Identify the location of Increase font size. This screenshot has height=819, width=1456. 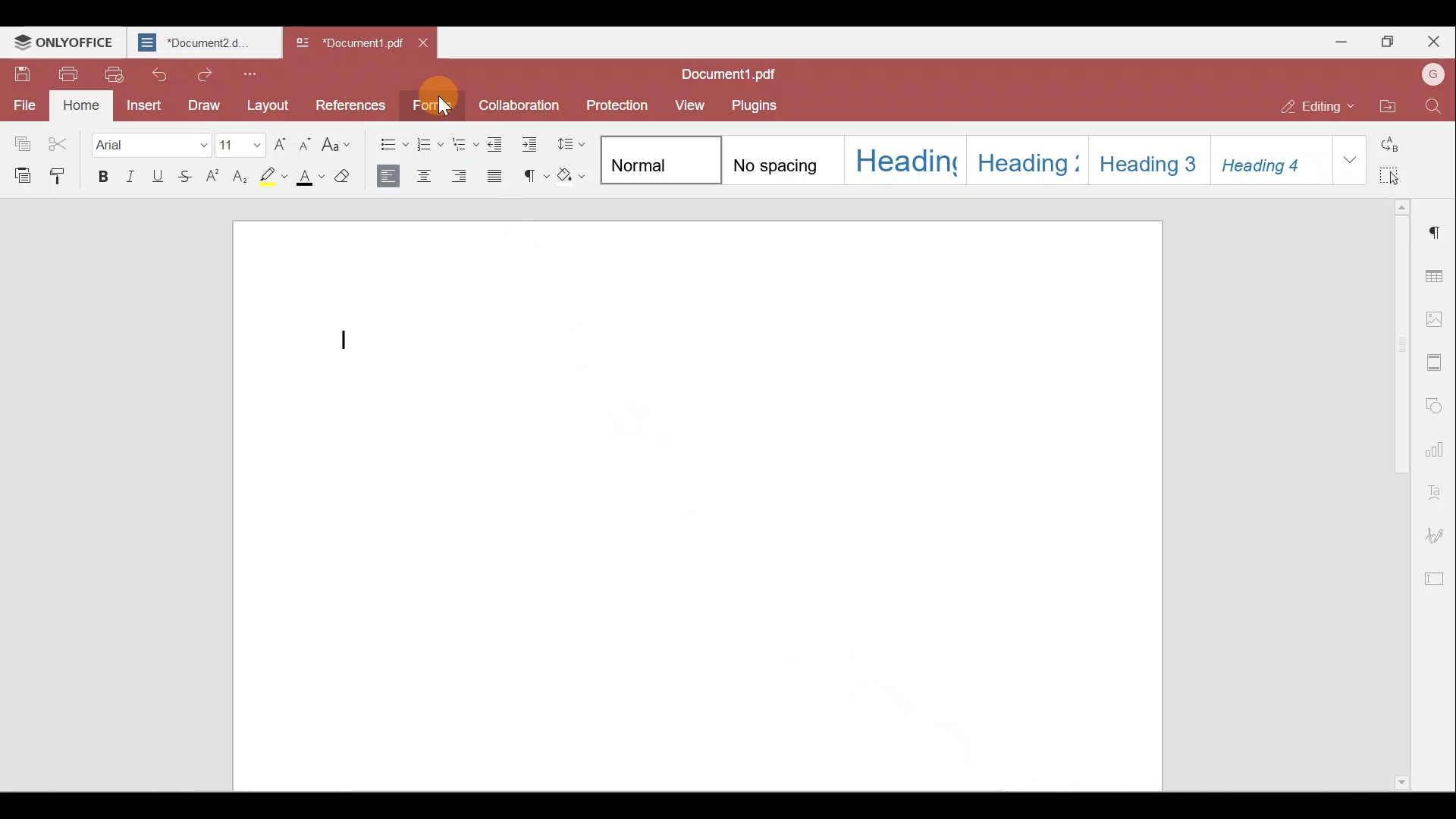
(278, 145).